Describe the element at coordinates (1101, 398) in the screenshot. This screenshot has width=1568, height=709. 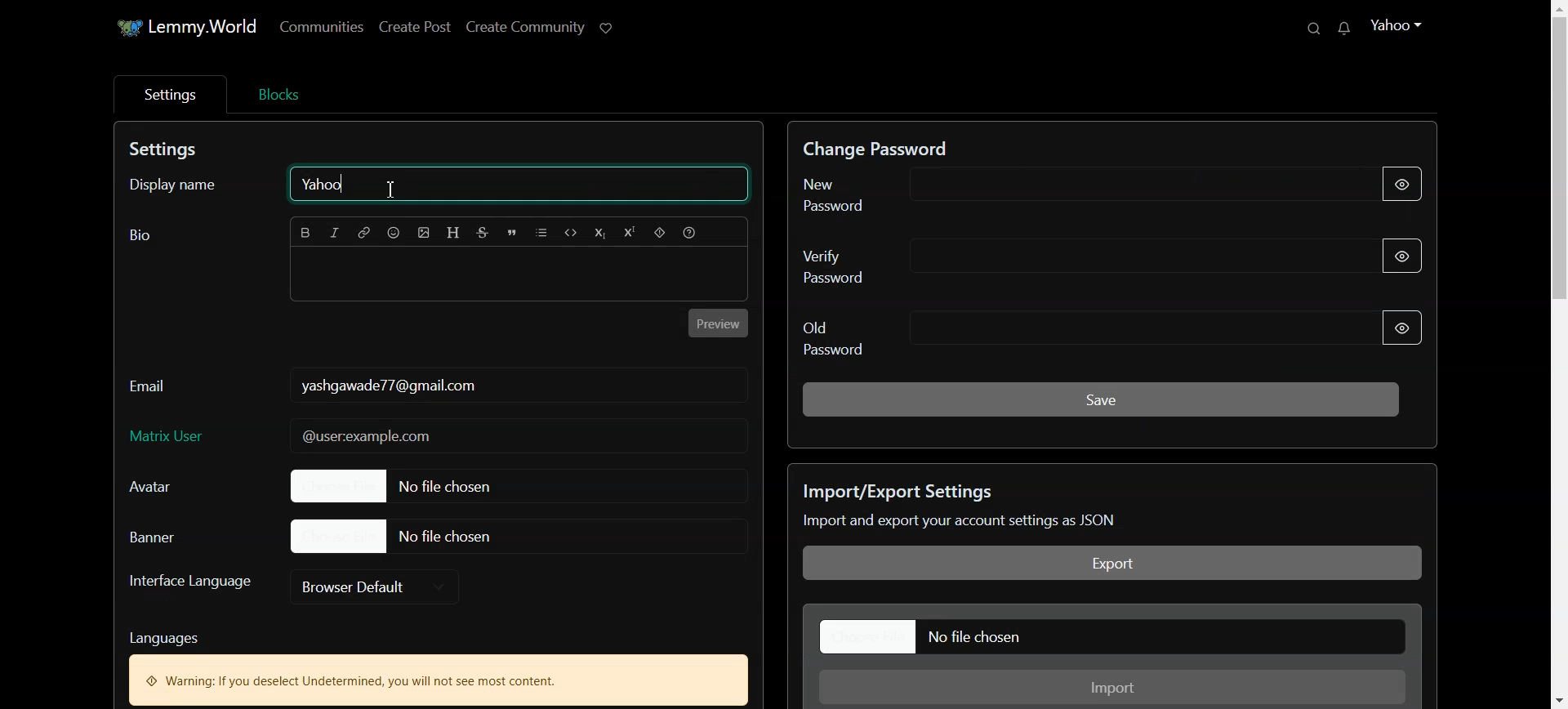
I see `Save` at that location.